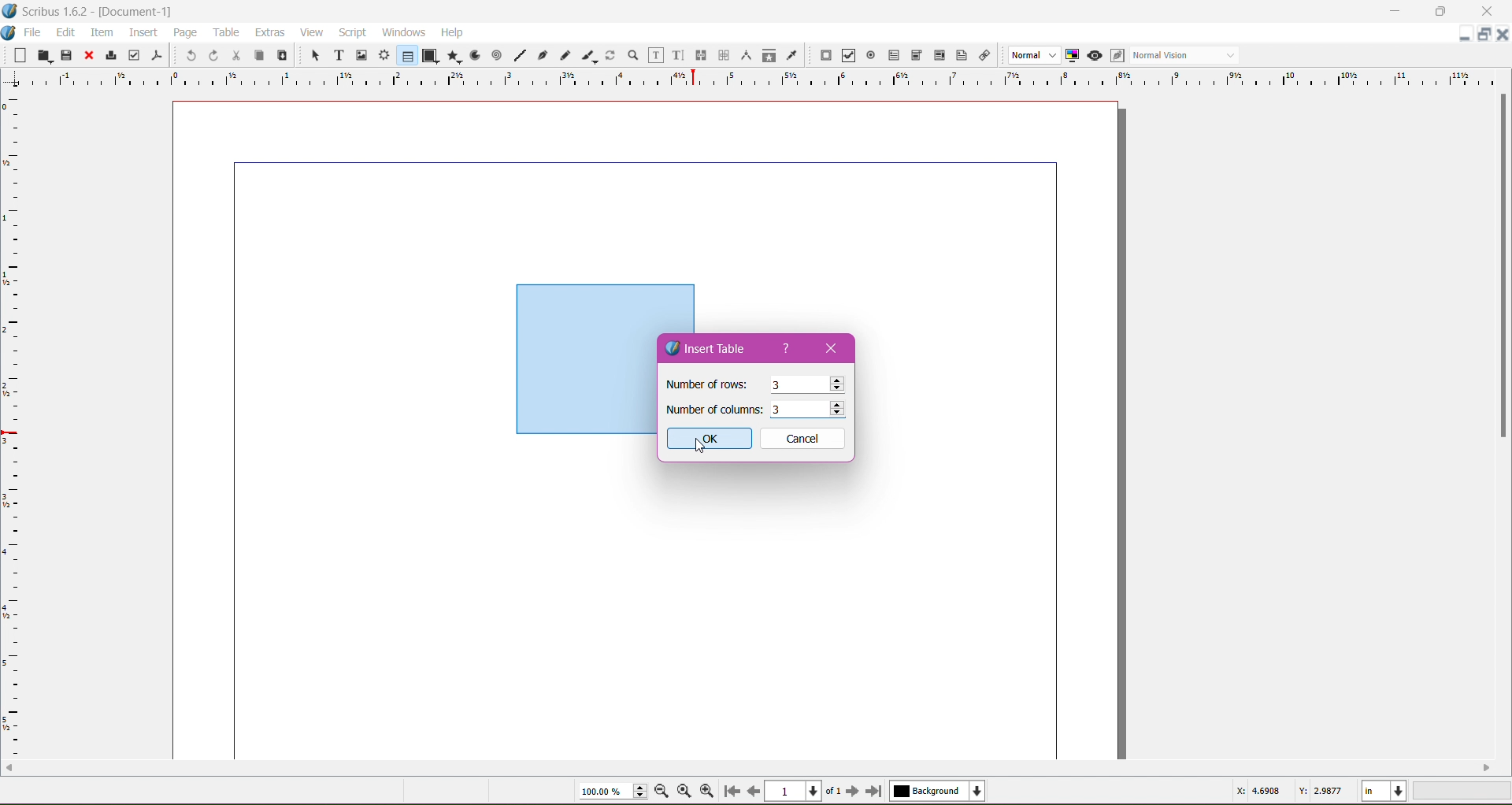 The width and height of the screenshot is (1512, 805). I want to click on Save, so click(67, 54).